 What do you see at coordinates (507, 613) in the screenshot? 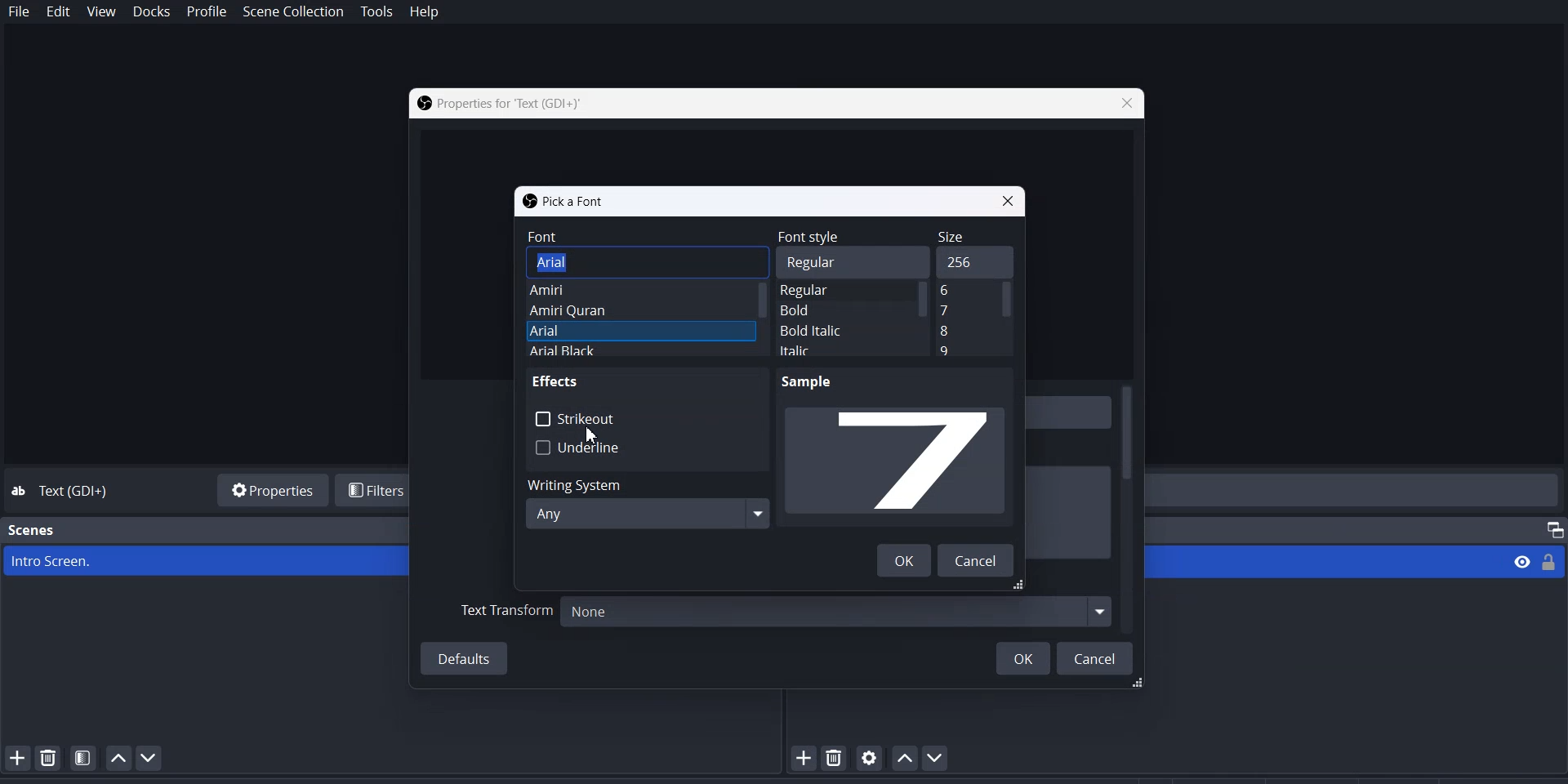
I see `Text Transform` at bounding box center [507, 613].